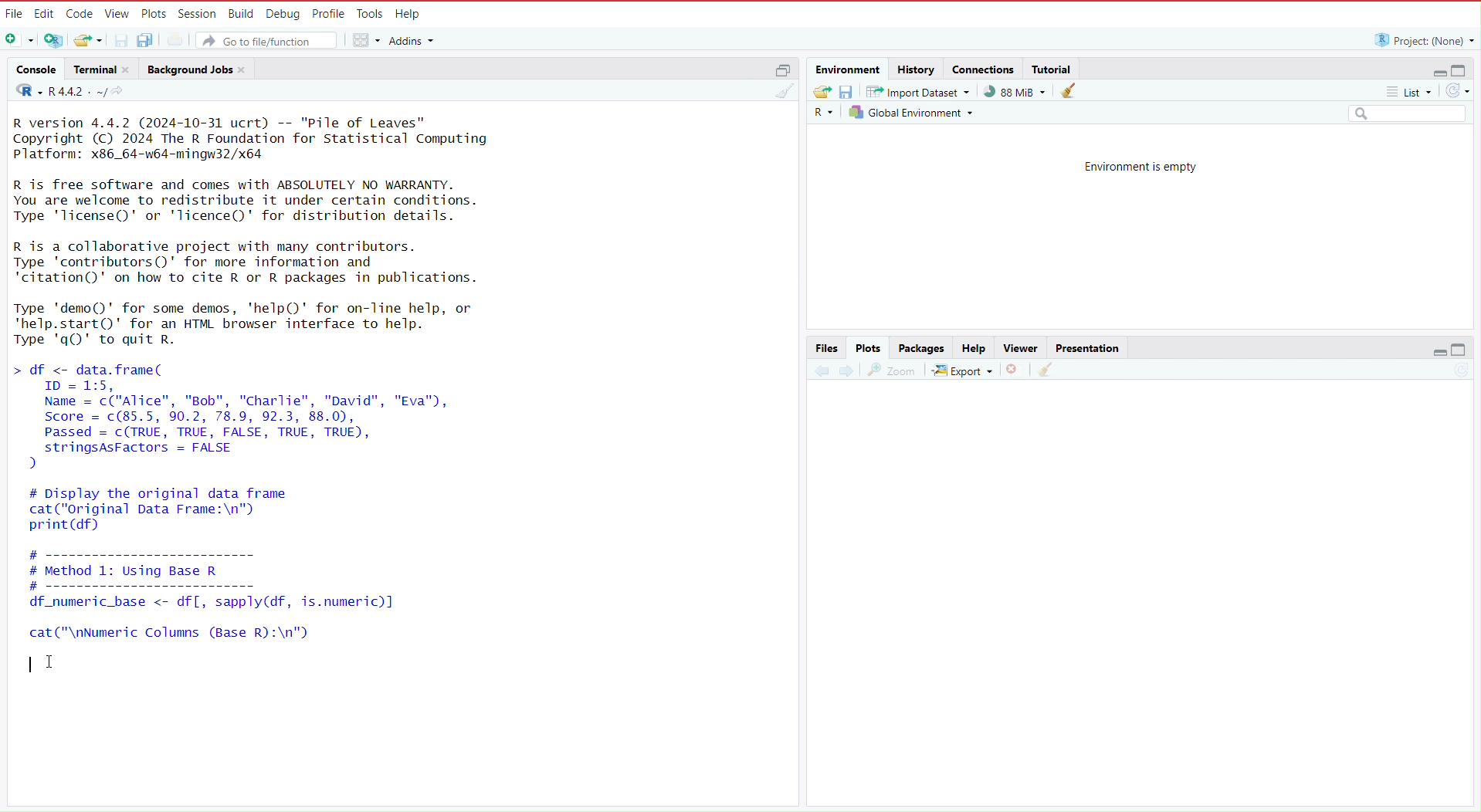 This screenshot has height=812, width=1481. What do you see at coordinates (44, 11) in the screenshot?
I see `Edit` at bounding box center [44, 11].